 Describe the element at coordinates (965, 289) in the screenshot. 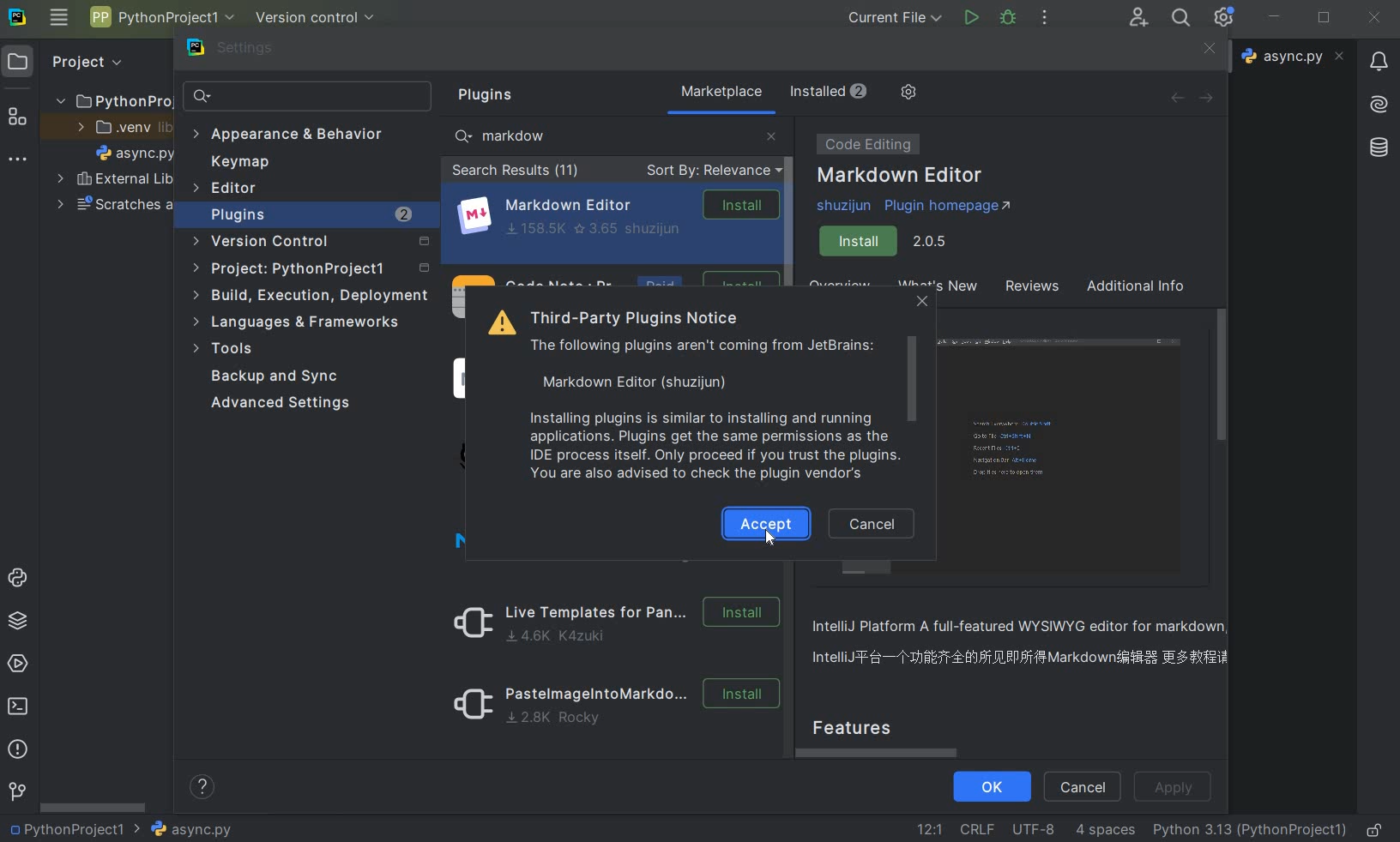

I see `what's new` at that location.